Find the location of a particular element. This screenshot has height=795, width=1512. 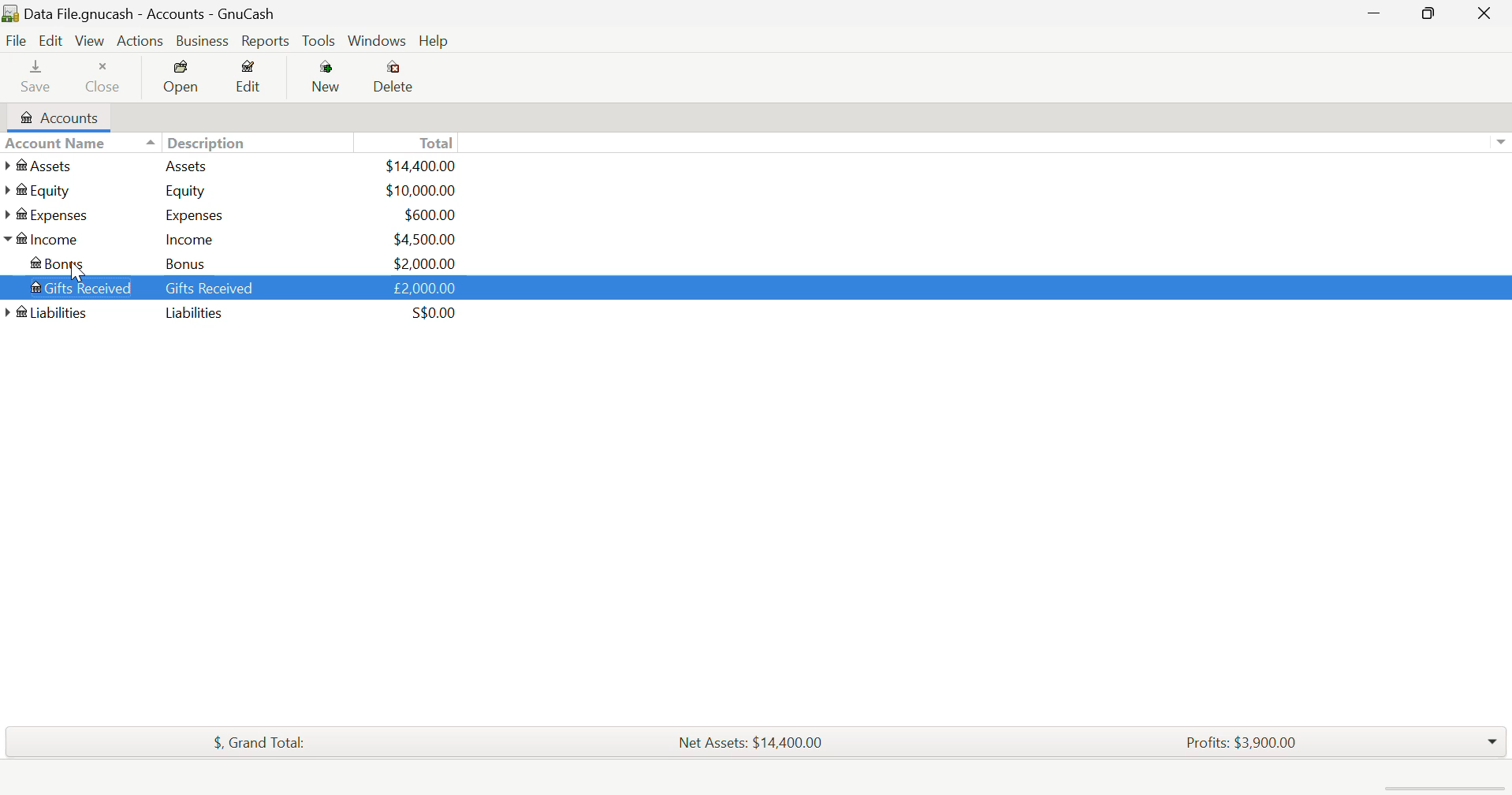

Accounts Tab Open is located at coordinates (56, 116).